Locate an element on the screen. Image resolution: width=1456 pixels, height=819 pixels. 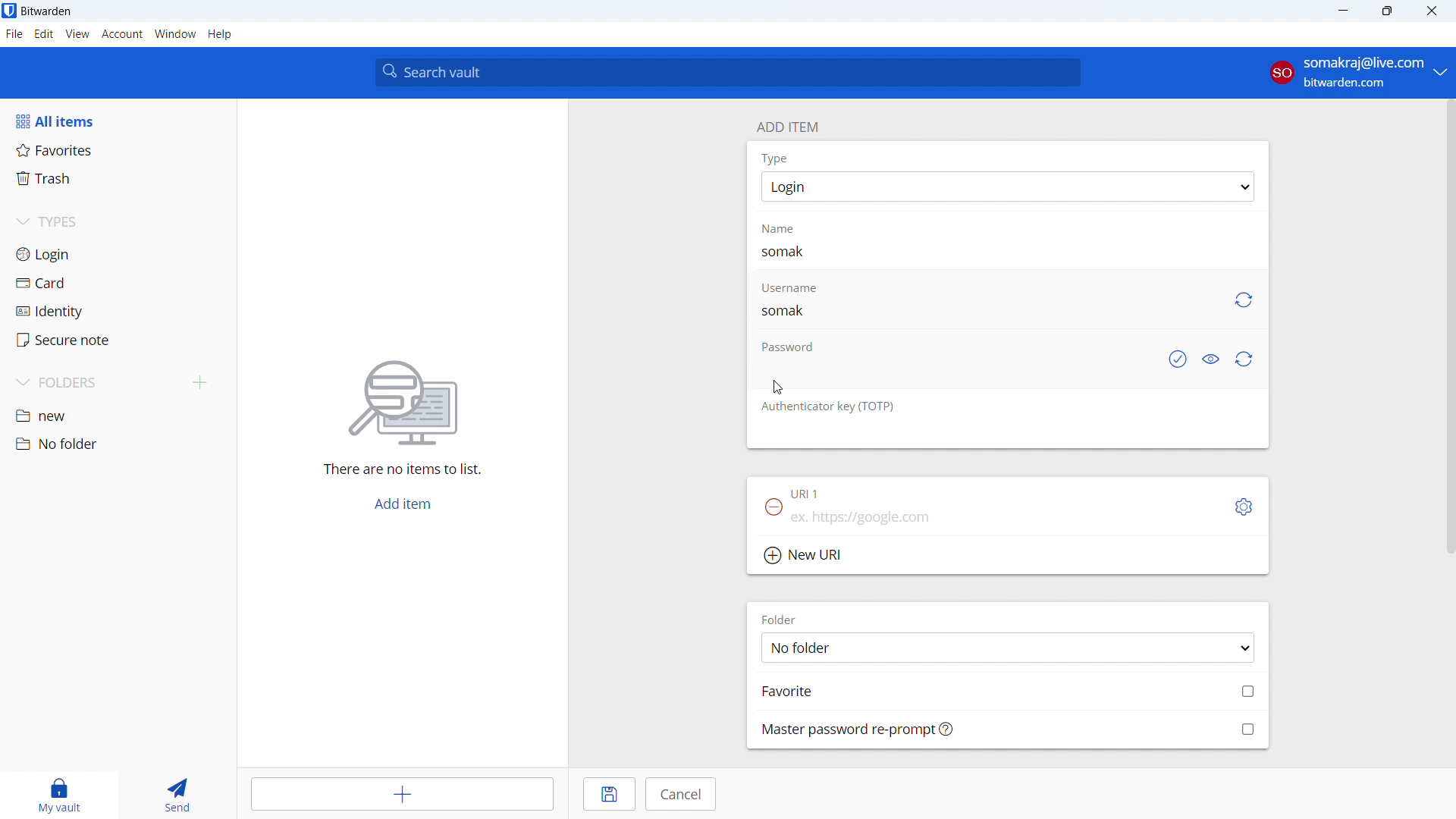
window is located at coordinates (175, 34).